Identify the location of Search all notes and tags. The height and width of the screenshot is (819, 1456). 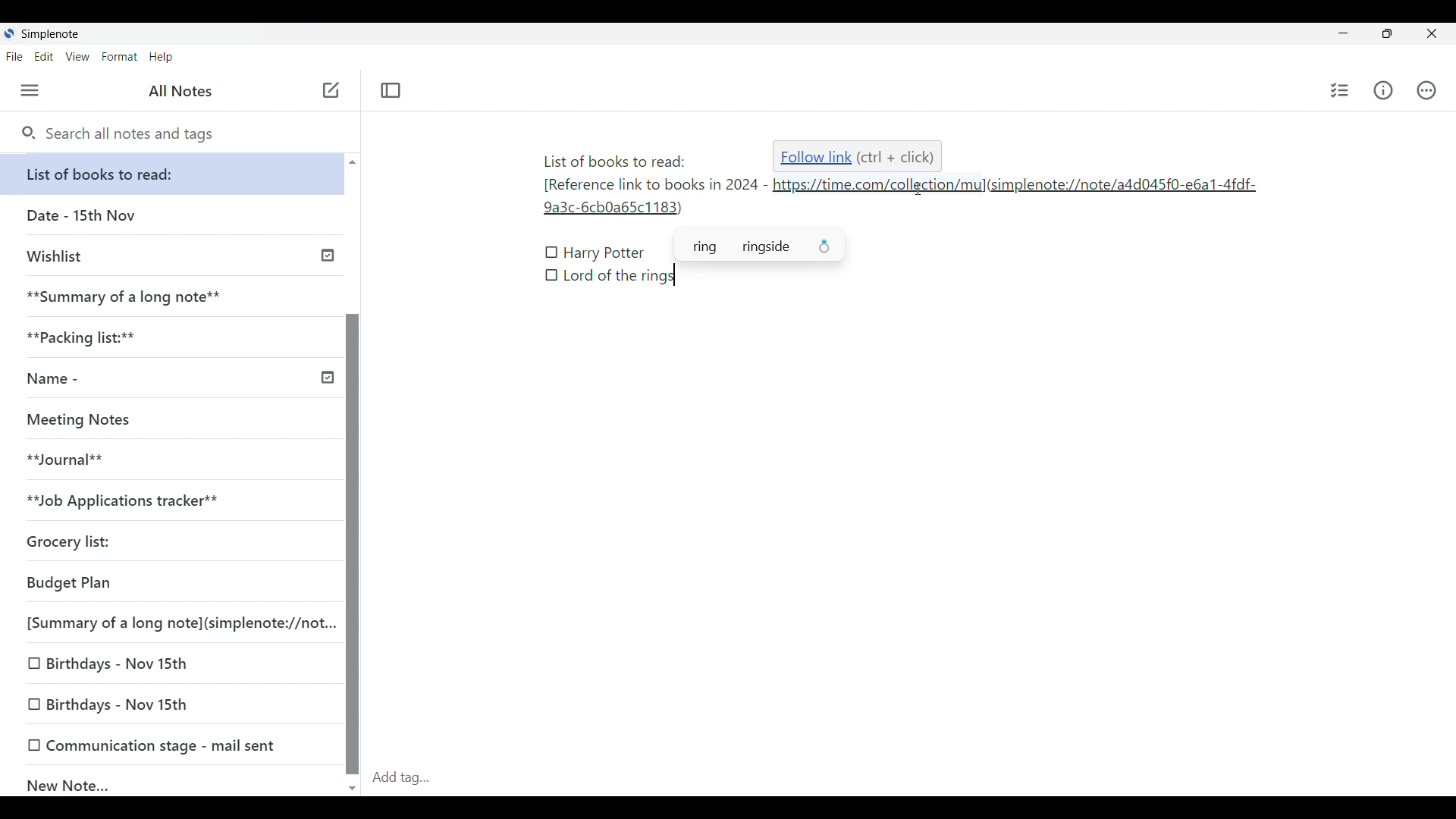
(118, 134).